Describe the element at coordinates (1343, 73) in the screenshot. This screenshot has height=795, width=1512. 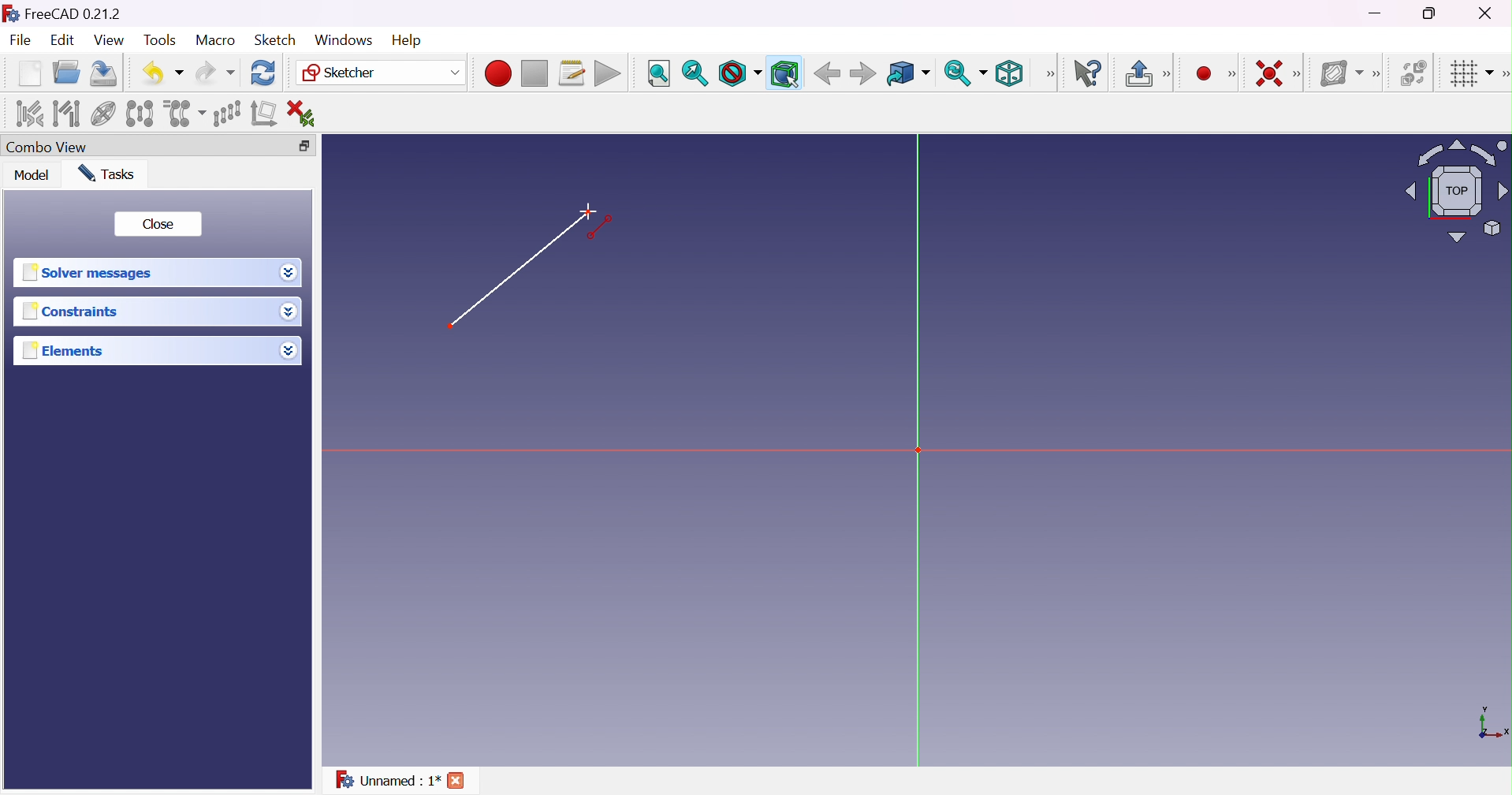
I see `Show/hide B-spline information layer` at that location.